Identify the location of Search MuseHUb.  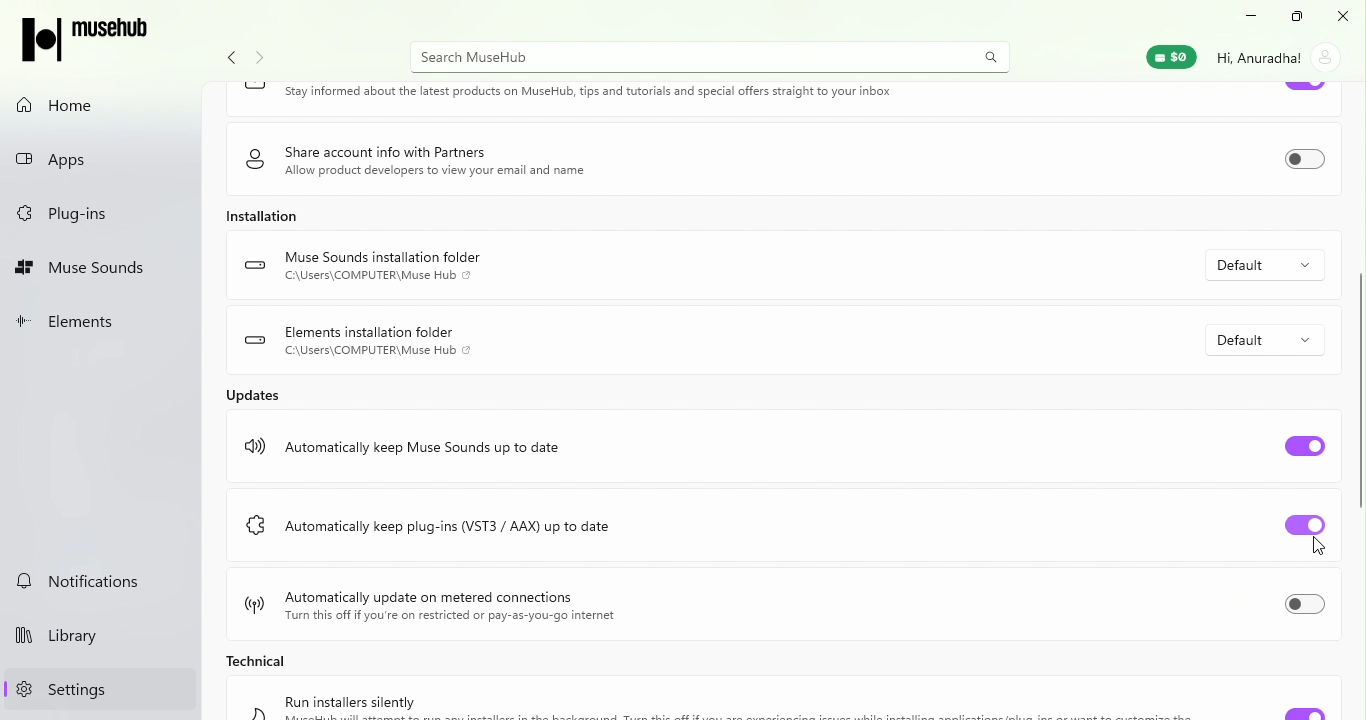
(708, 58).